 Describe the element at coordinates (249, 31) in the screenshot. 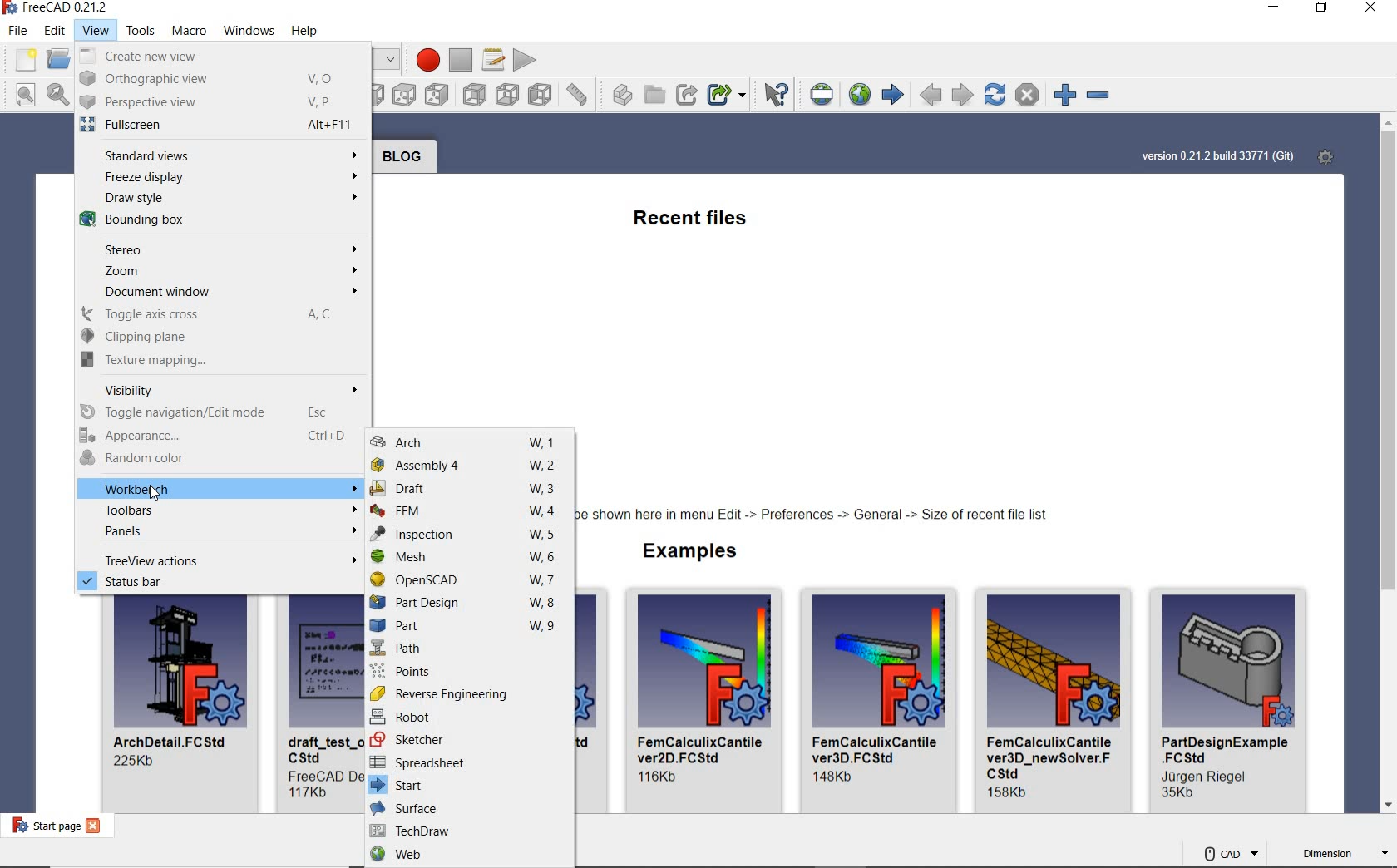

I see `windows` at that location.